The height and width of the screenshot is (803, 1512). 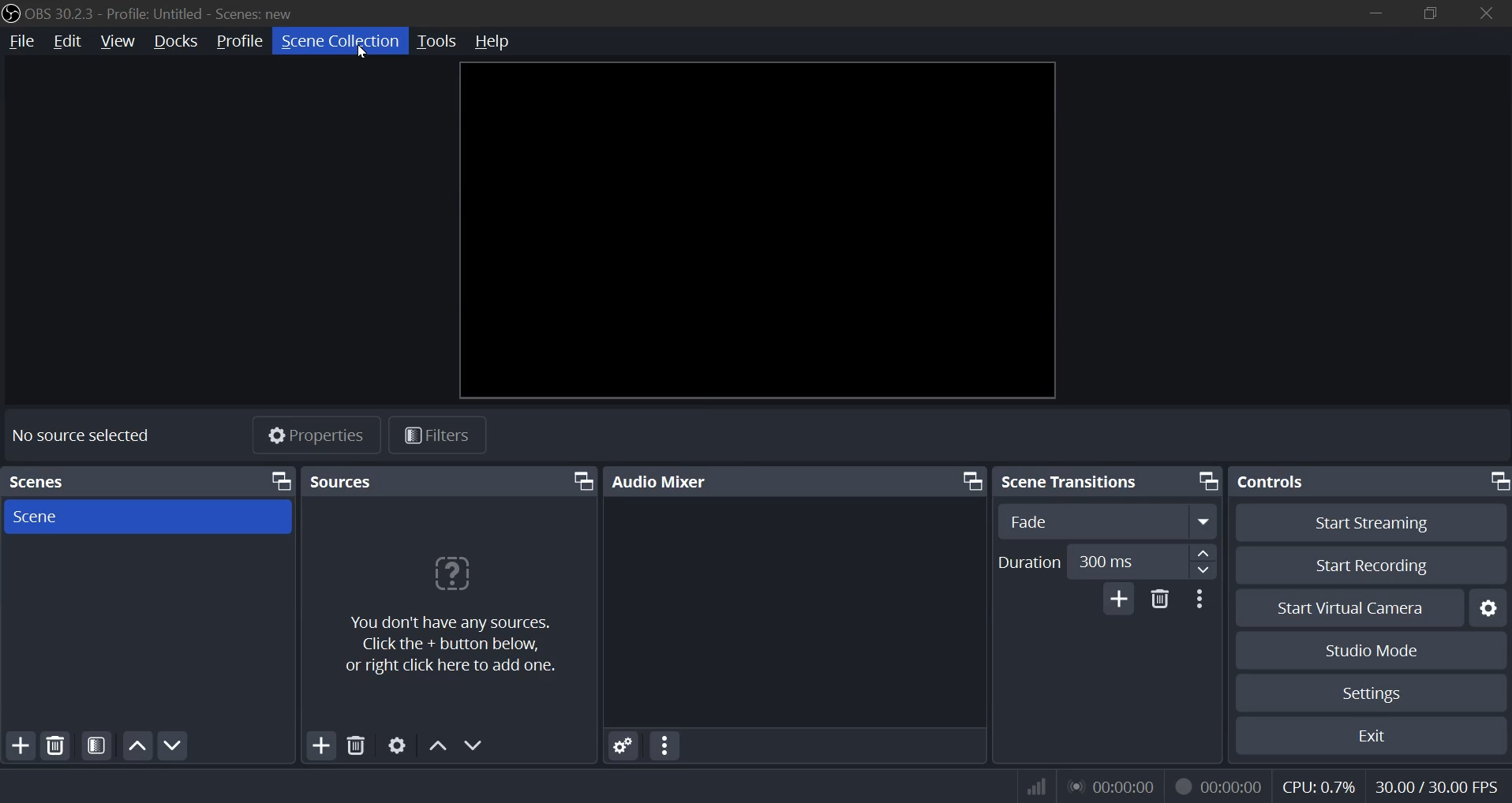 I want to click on You don't have any sources.
Click the + button below,
or right click here to add one., so click(x=452, y=644).